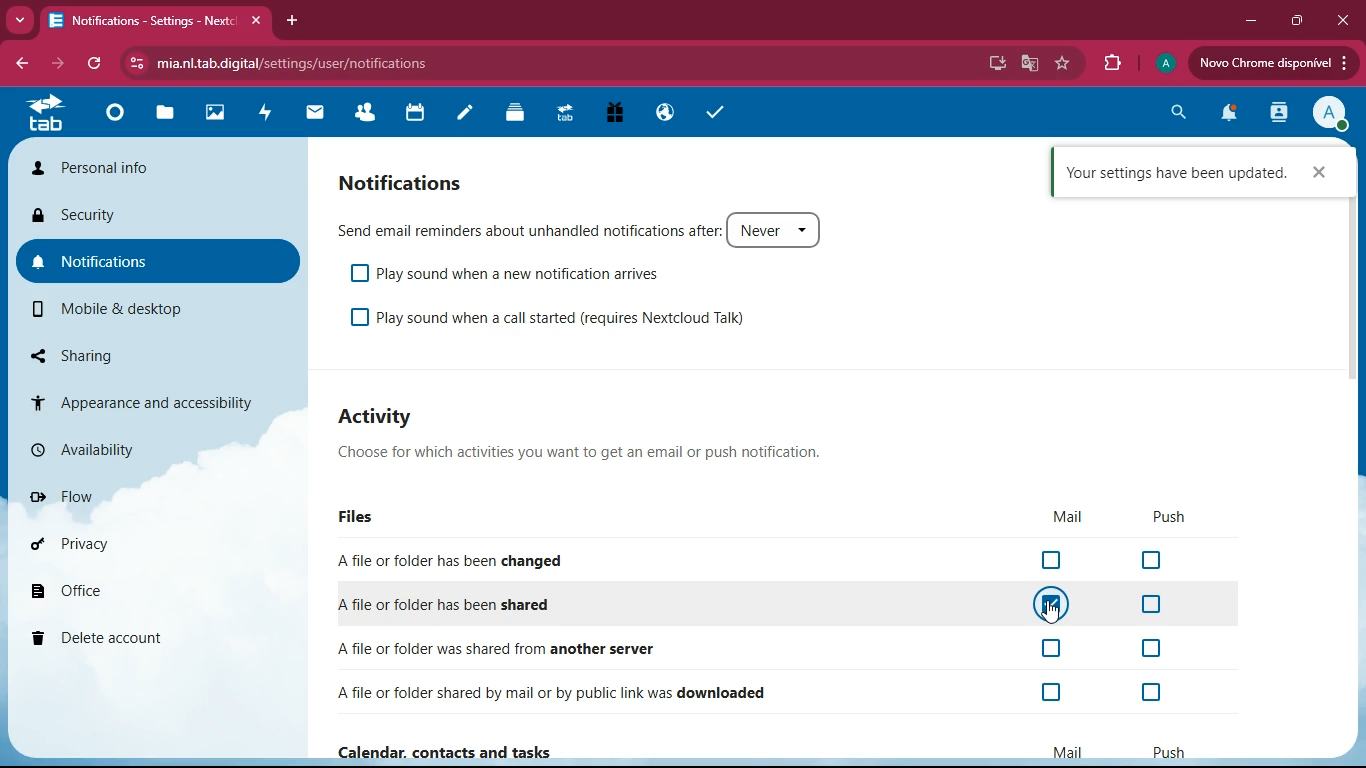  Describe the element at coordinates (215, 115) in the screenshot. I see `images` at that location.